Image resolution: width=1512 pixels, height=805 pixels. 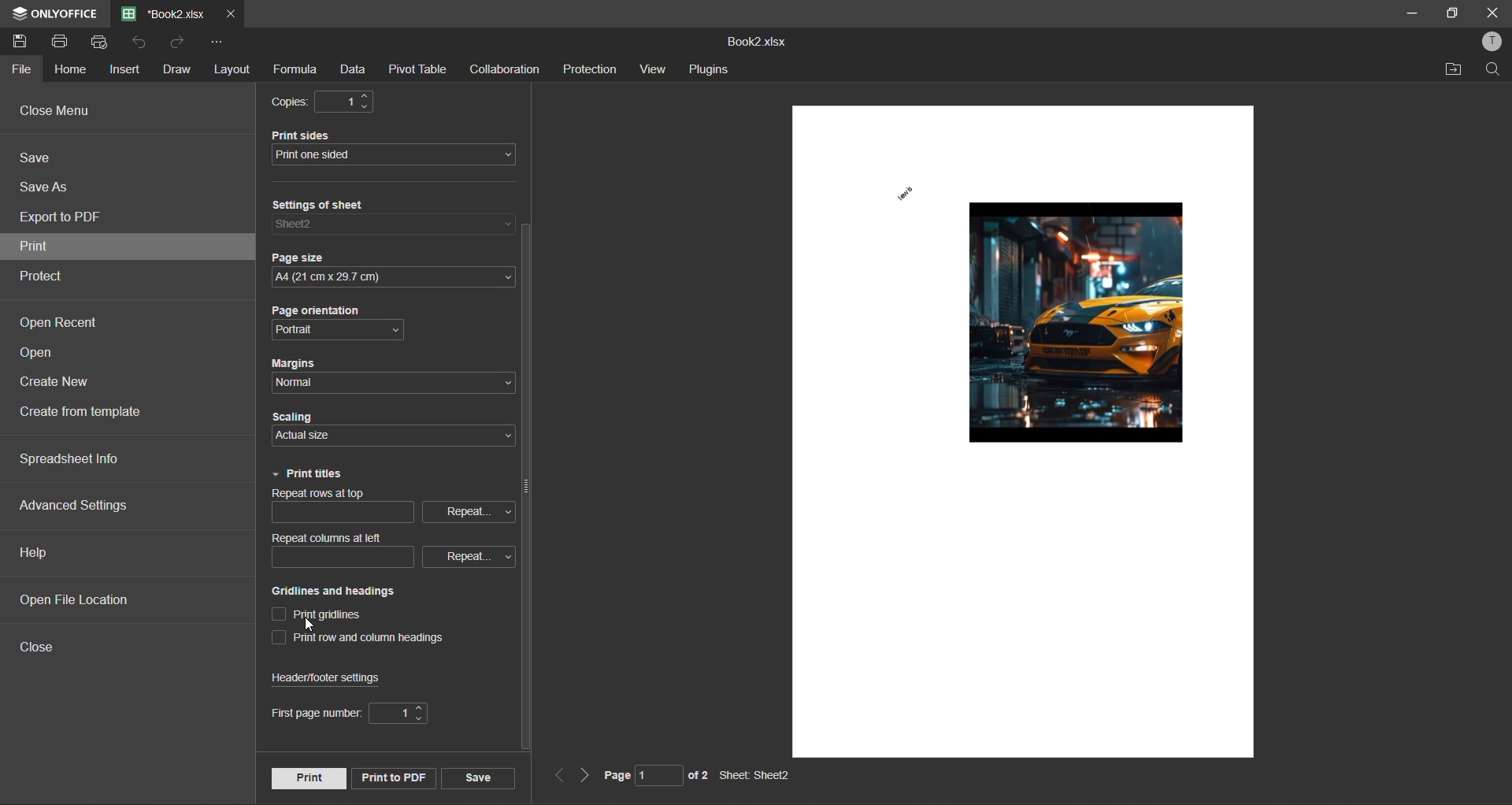 I want to click on pivot table, so click(x=416, y=69).